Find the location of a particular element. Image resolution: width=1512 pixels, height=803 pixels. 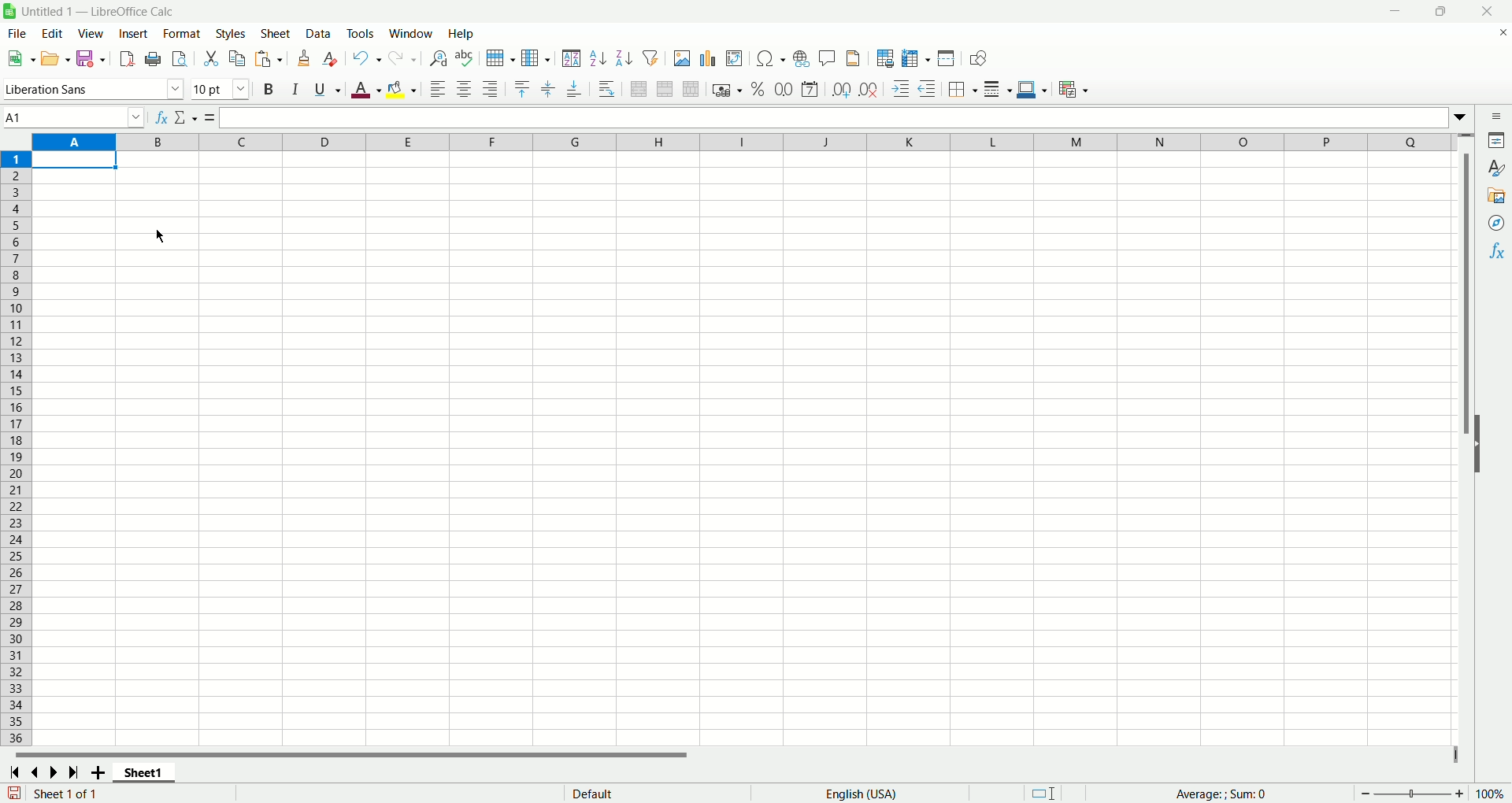

horizontal scroll bar is located at coordinates (738, 756).